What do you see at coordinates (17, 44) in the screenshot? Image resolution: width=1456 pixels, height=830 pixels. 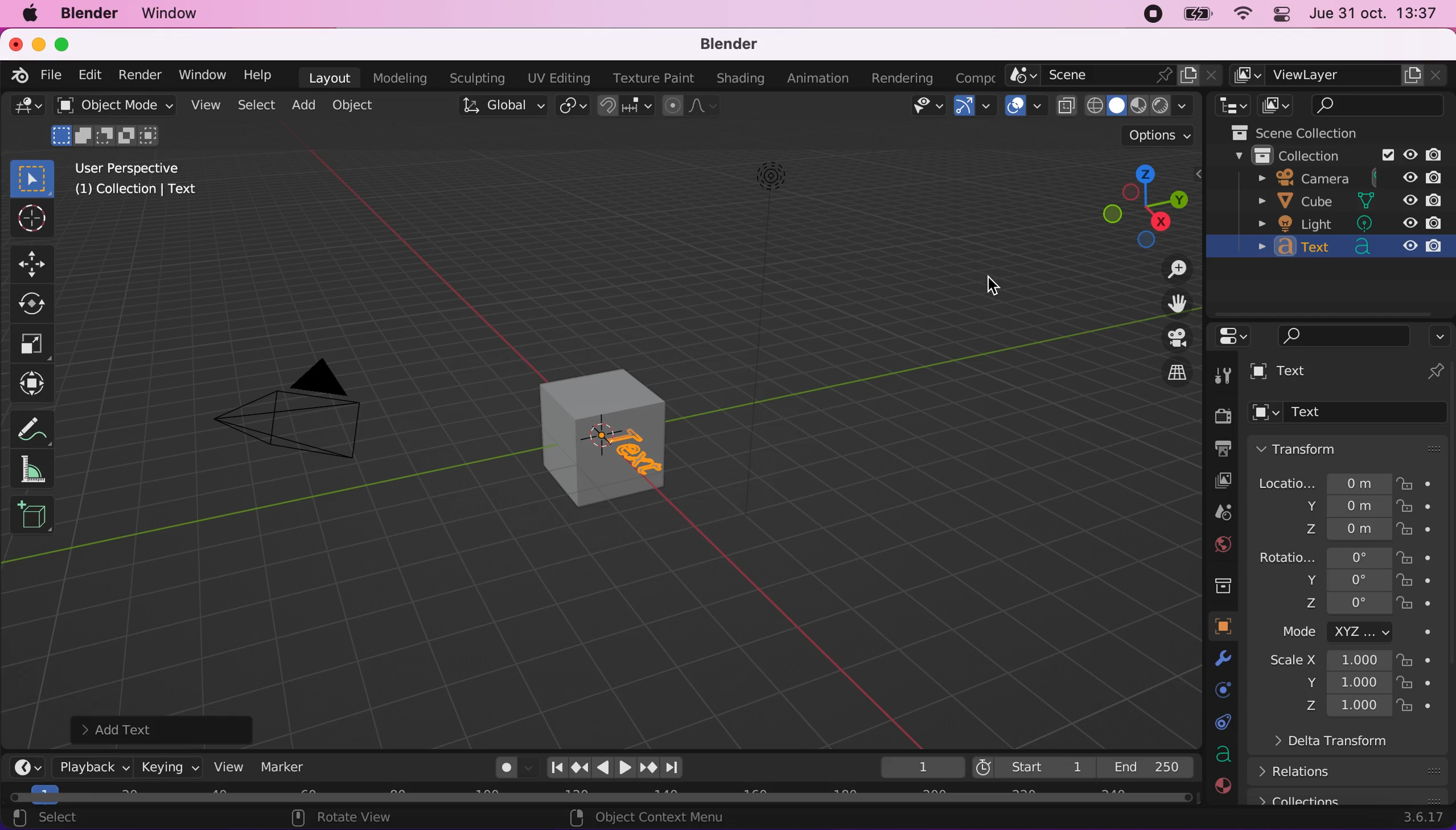 I see `close` at bounding box center [17, 44].